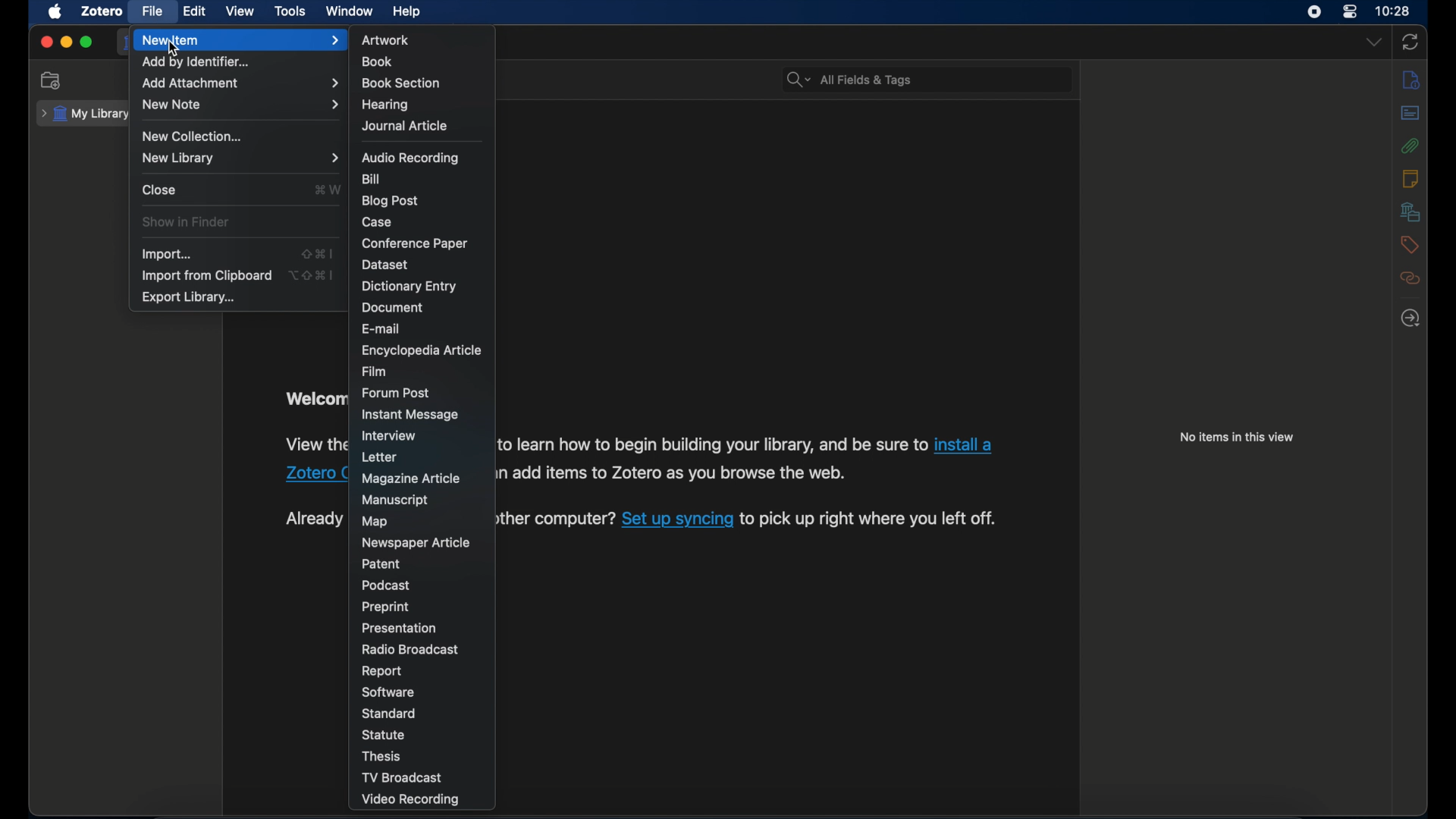 This screenshot has height=819, width=1456. Describe the element at coordinates (1411, 112) in the screenshot. I see `abstract` at that location.